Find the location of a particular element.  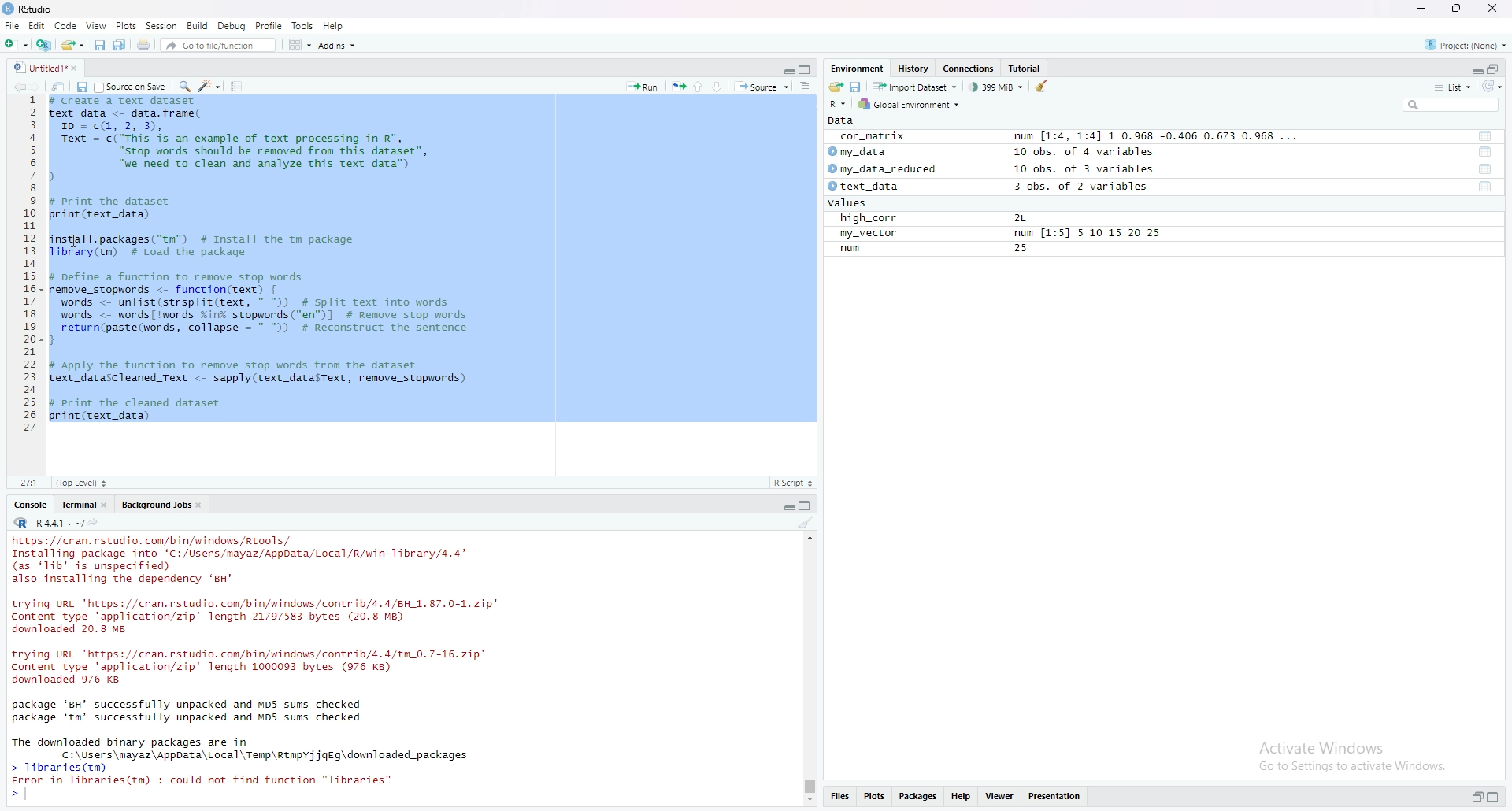

build is located at coordinates (198, 26).